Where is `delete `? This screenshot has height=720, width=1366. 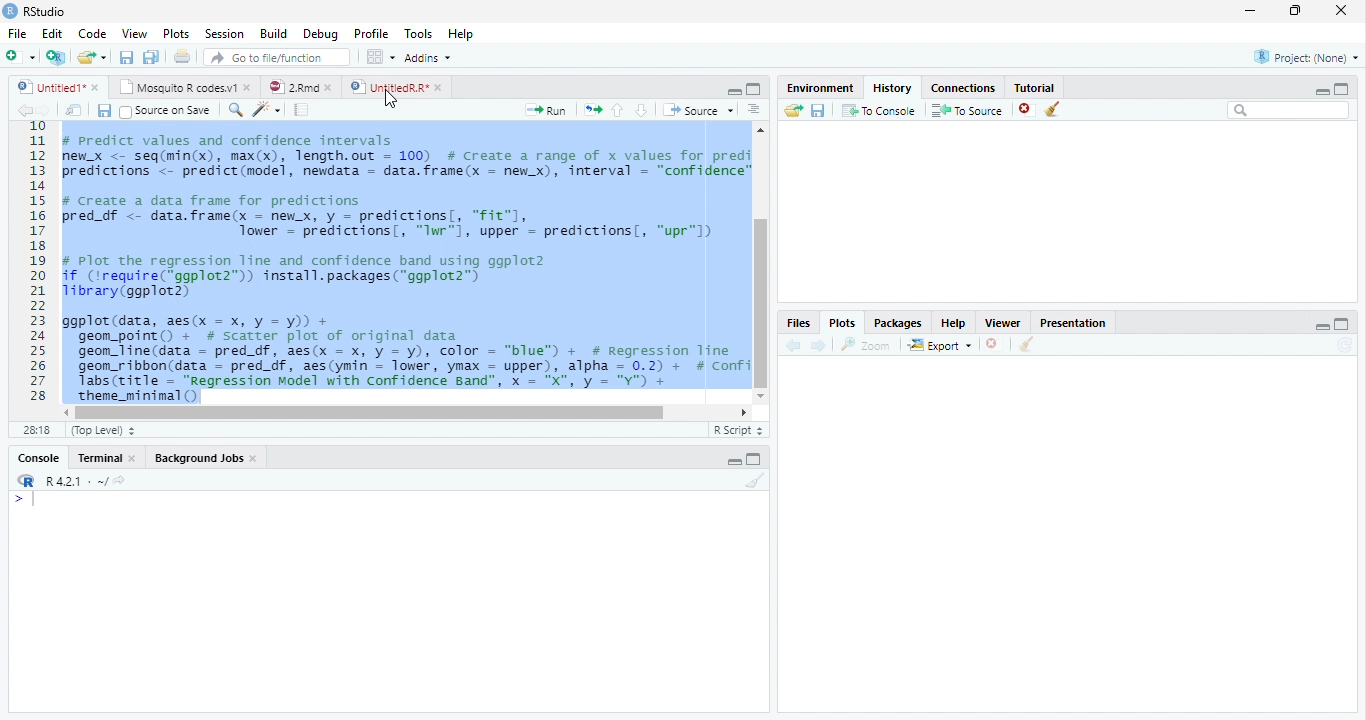 delete  is located at coordinates (1024, 108).